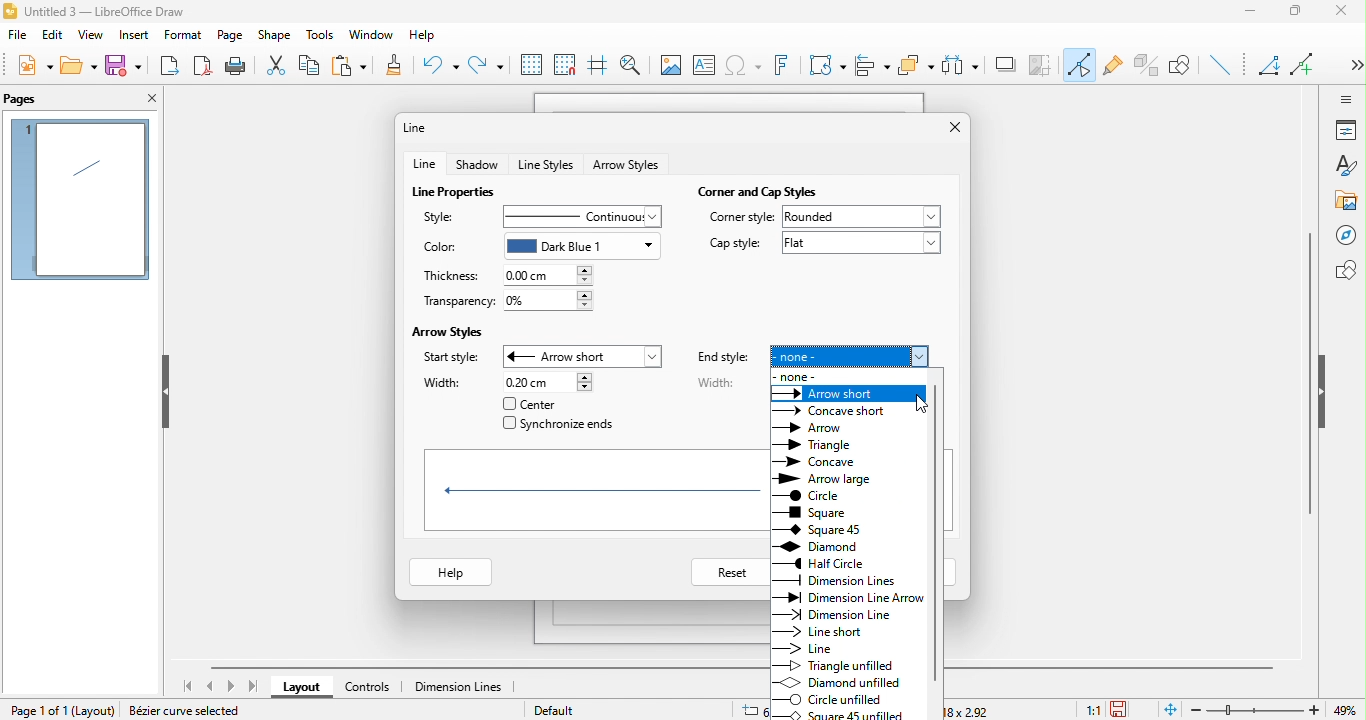  Describe the element at coordinates (947, 128) in the screenshot. I see `close` at that location.